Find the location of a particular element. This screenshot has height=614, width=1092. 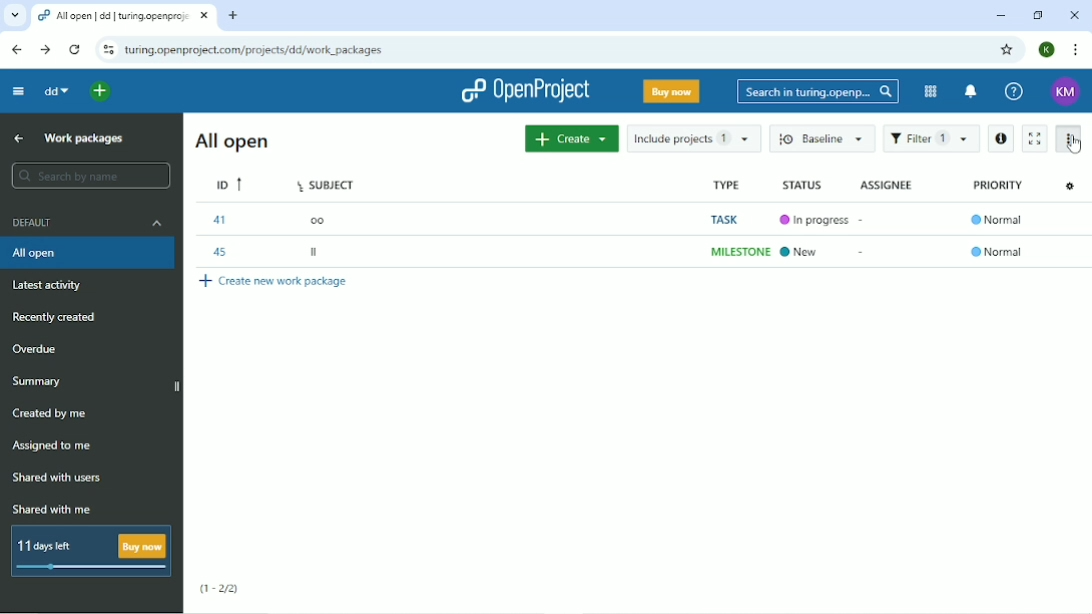

Modules is located at coordinates (928, 92).